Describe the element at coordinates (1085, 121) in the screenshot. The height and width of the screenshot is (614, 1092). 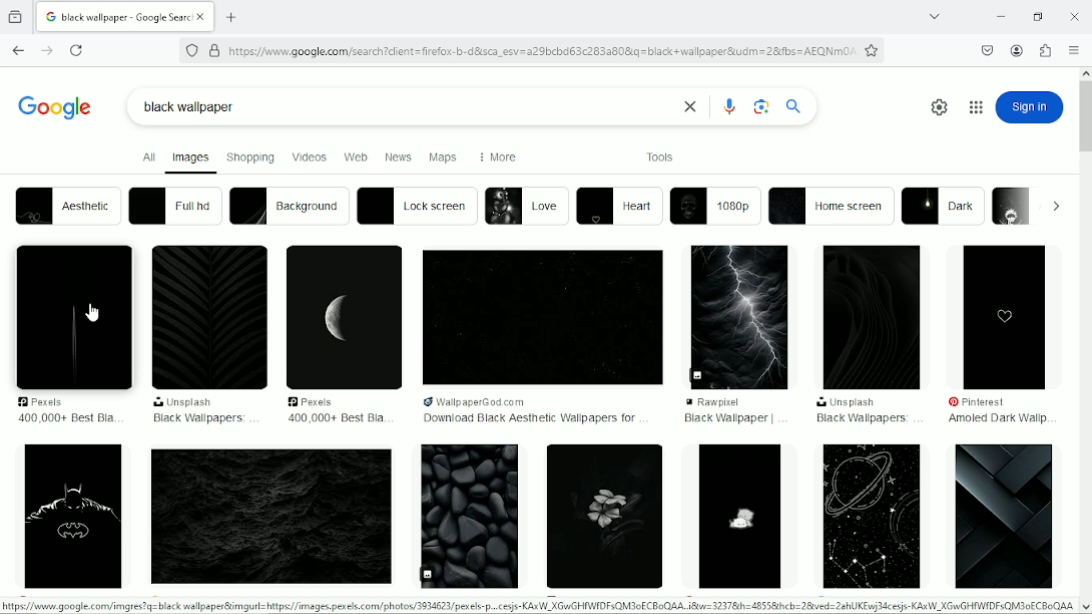
I see `Vertical scrollbar` at that location.